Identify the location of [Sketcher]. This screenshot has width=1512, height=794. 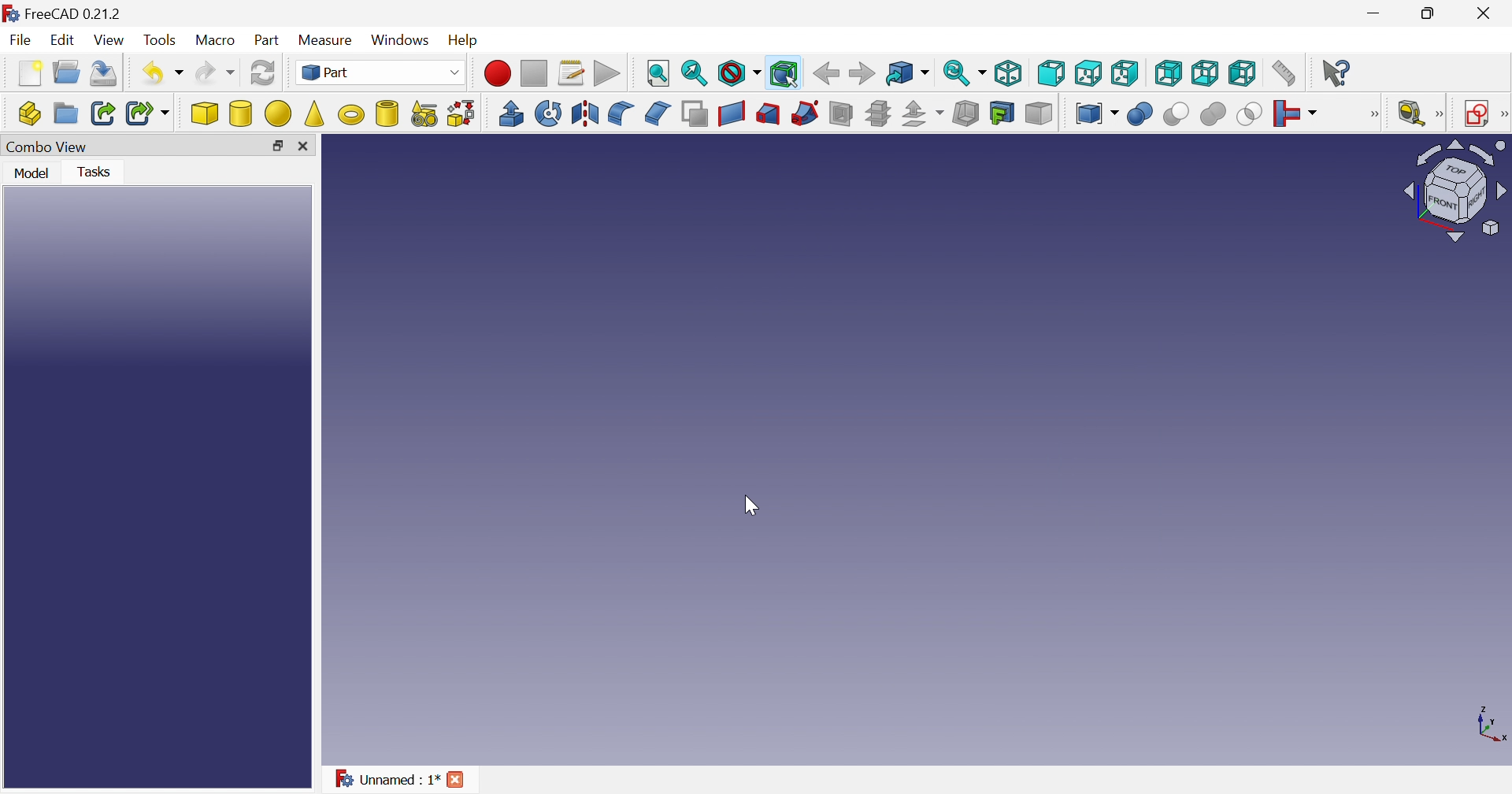
(1503, 113).